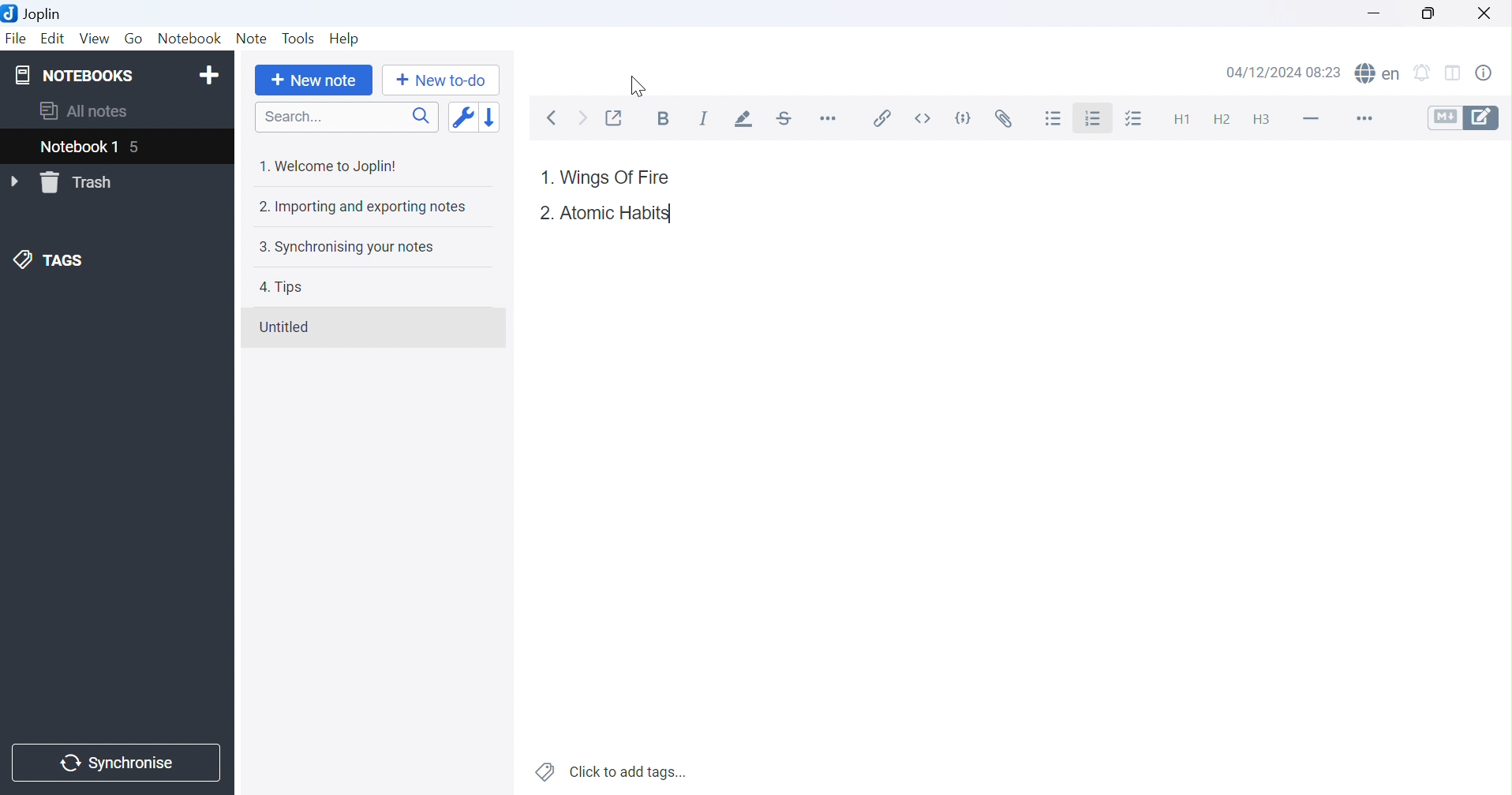 This screenshot has width=1512, height=795. Describe the element at coordinates (35, 13) in the screenshot. I see `Joplin` at that location.